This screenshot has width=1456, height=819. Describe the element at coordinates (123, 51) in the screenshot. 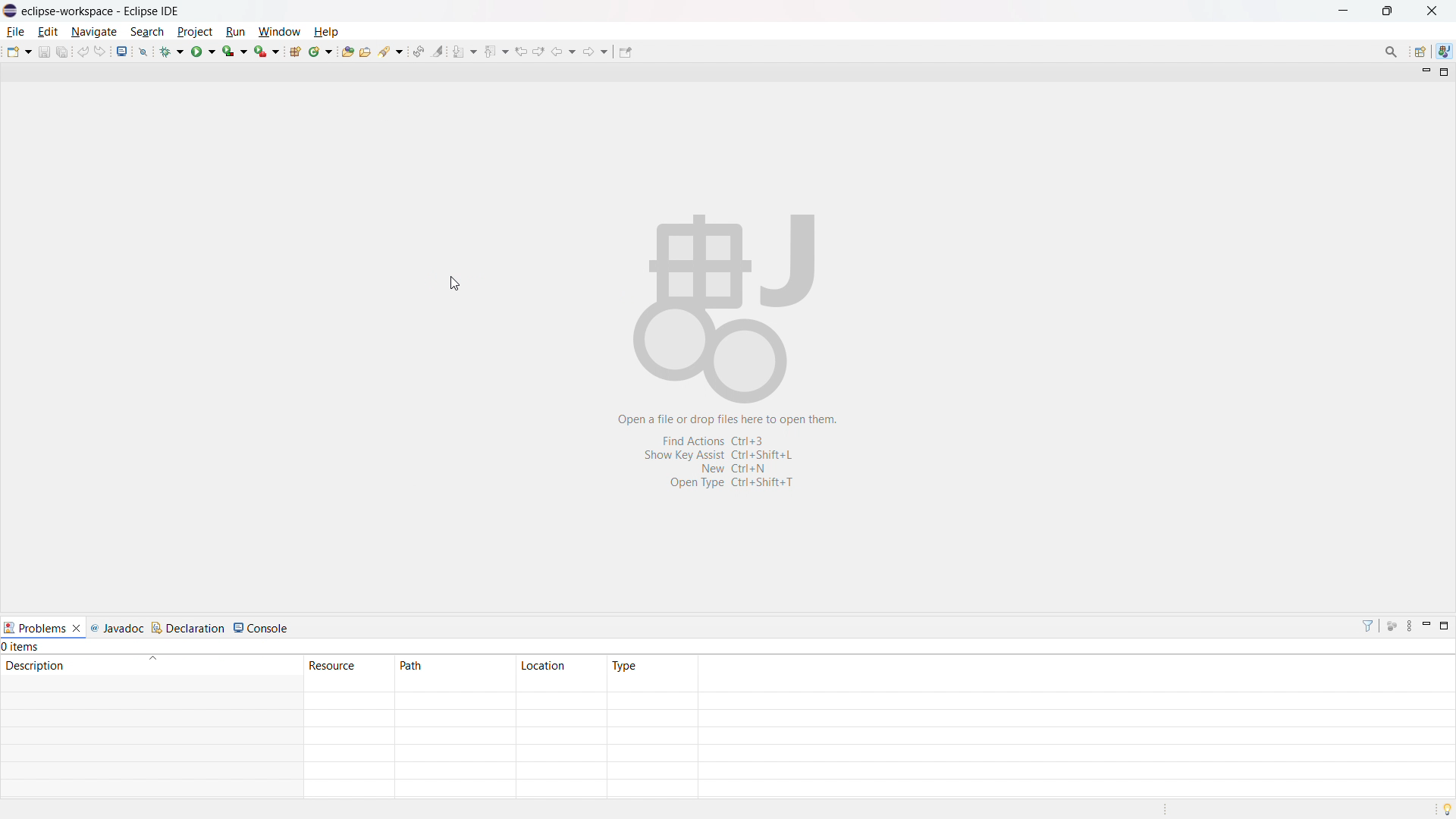

I see `open console` at that location.